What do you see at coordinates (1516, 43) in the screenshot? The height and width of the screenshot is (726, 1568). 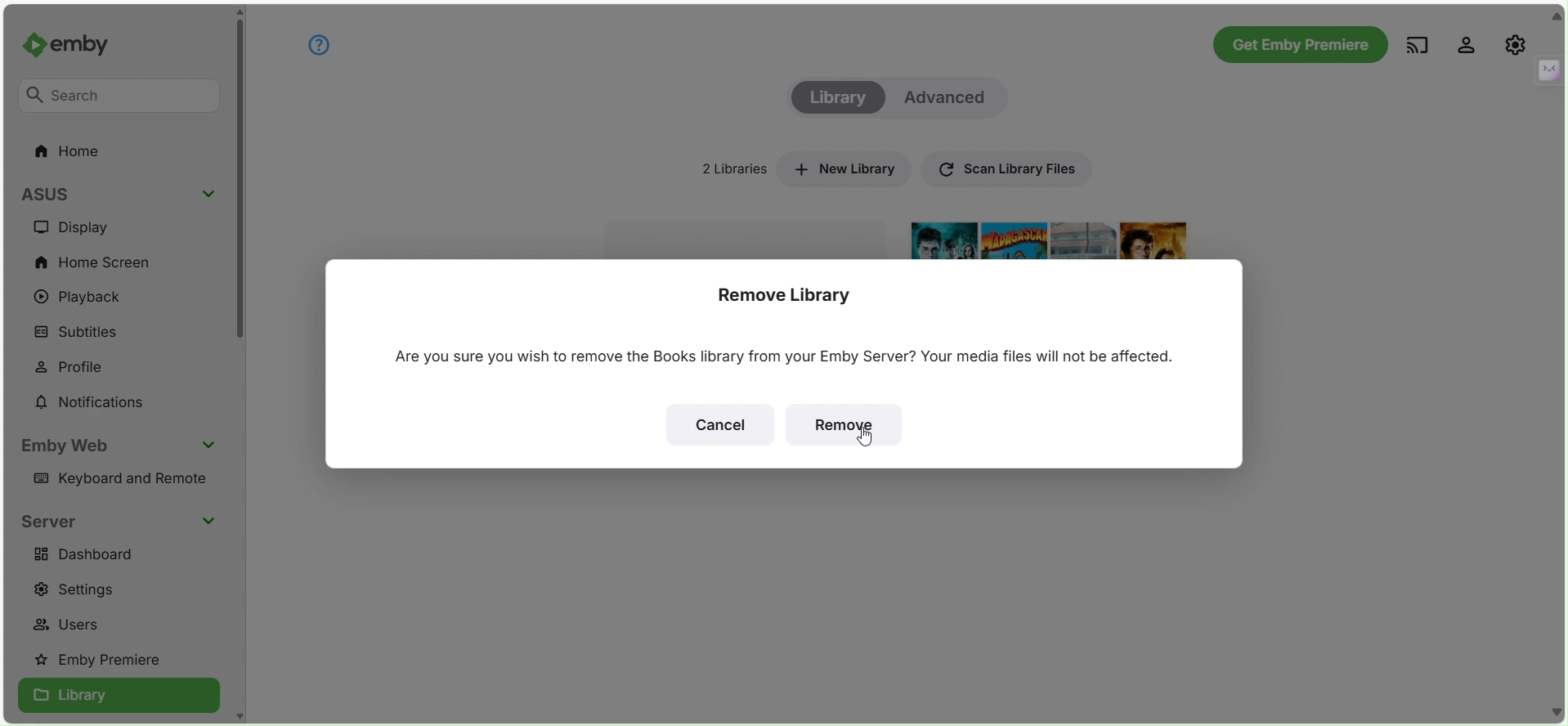 I see `Manage Emby Server` at bounding box center [1516, 43].